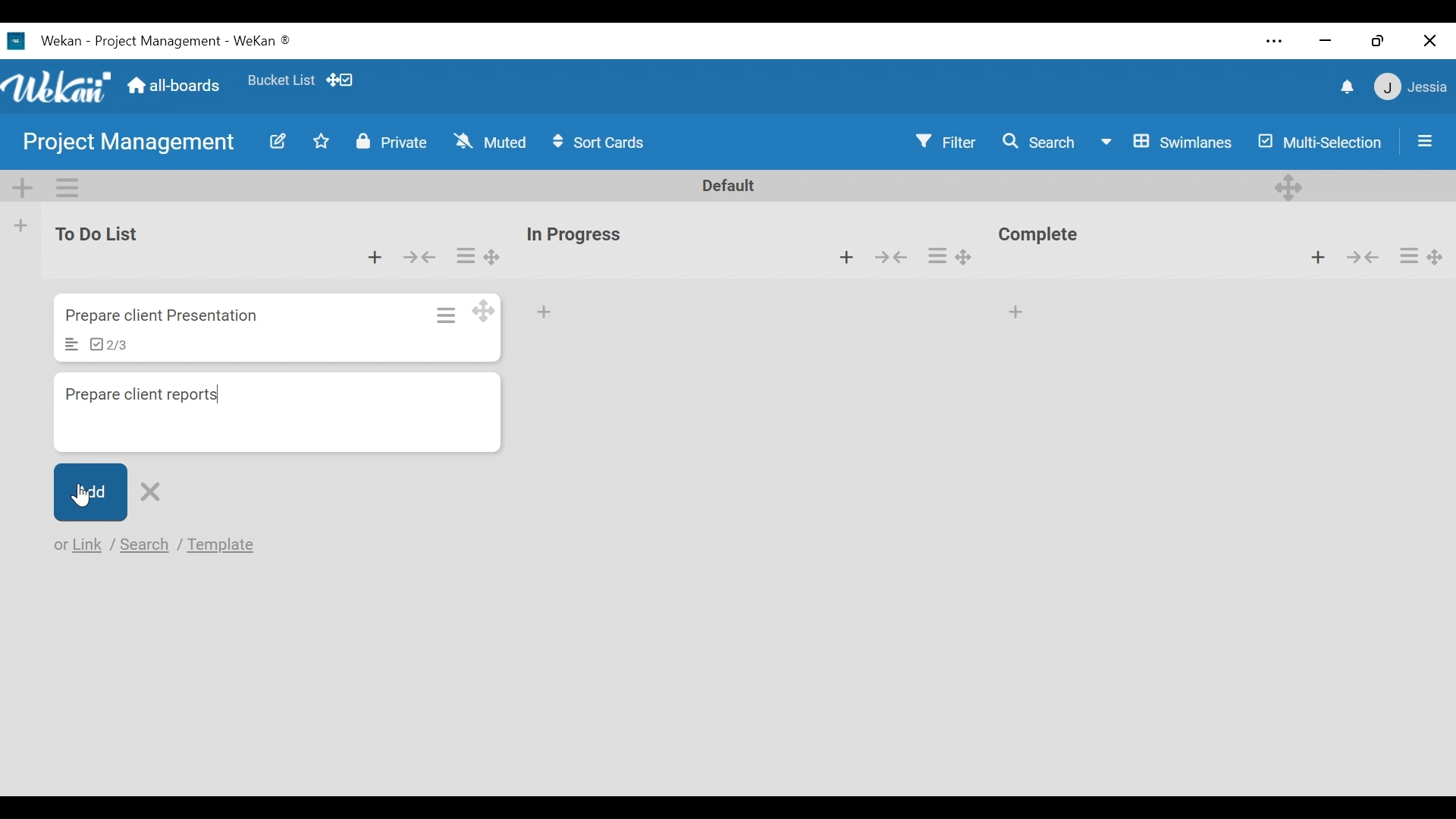 The height and width of the screenshot is (819, 1456). Describe the element at coordinates (155, 490) in the screenshot. I see `cancel` at that location.